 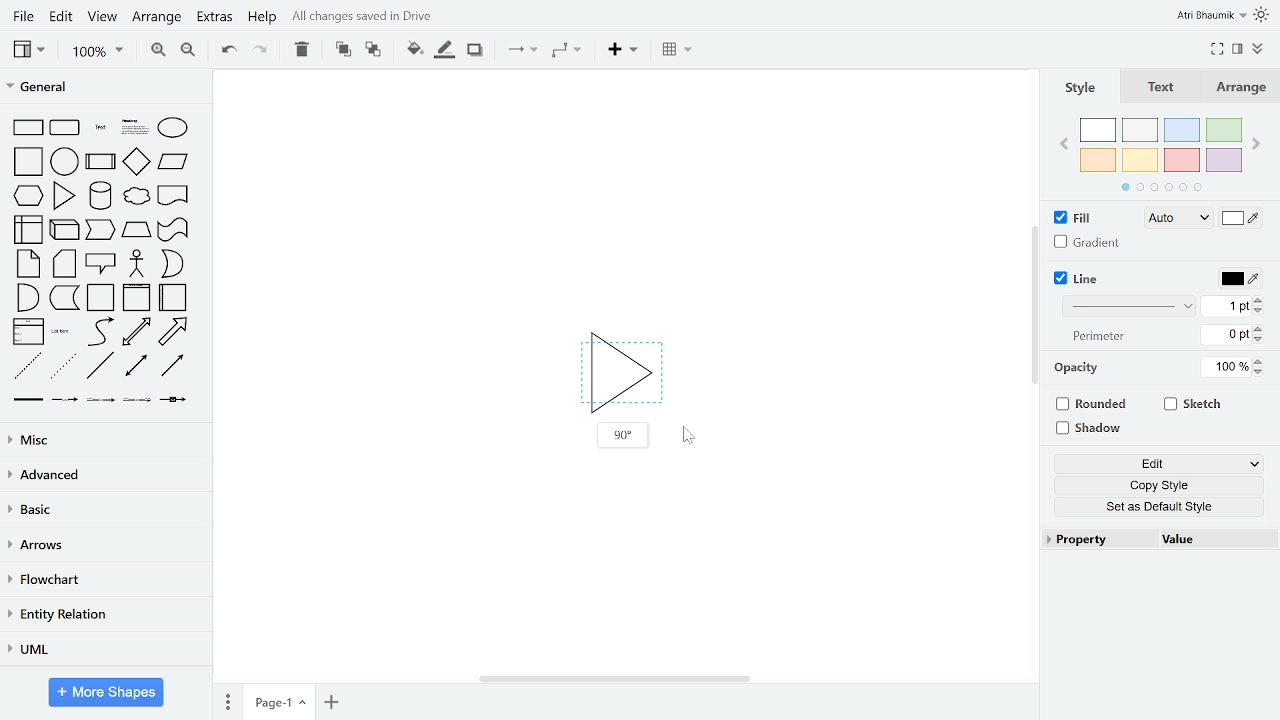 I want to click on Traiangle shape , so click(x=620, y=368).